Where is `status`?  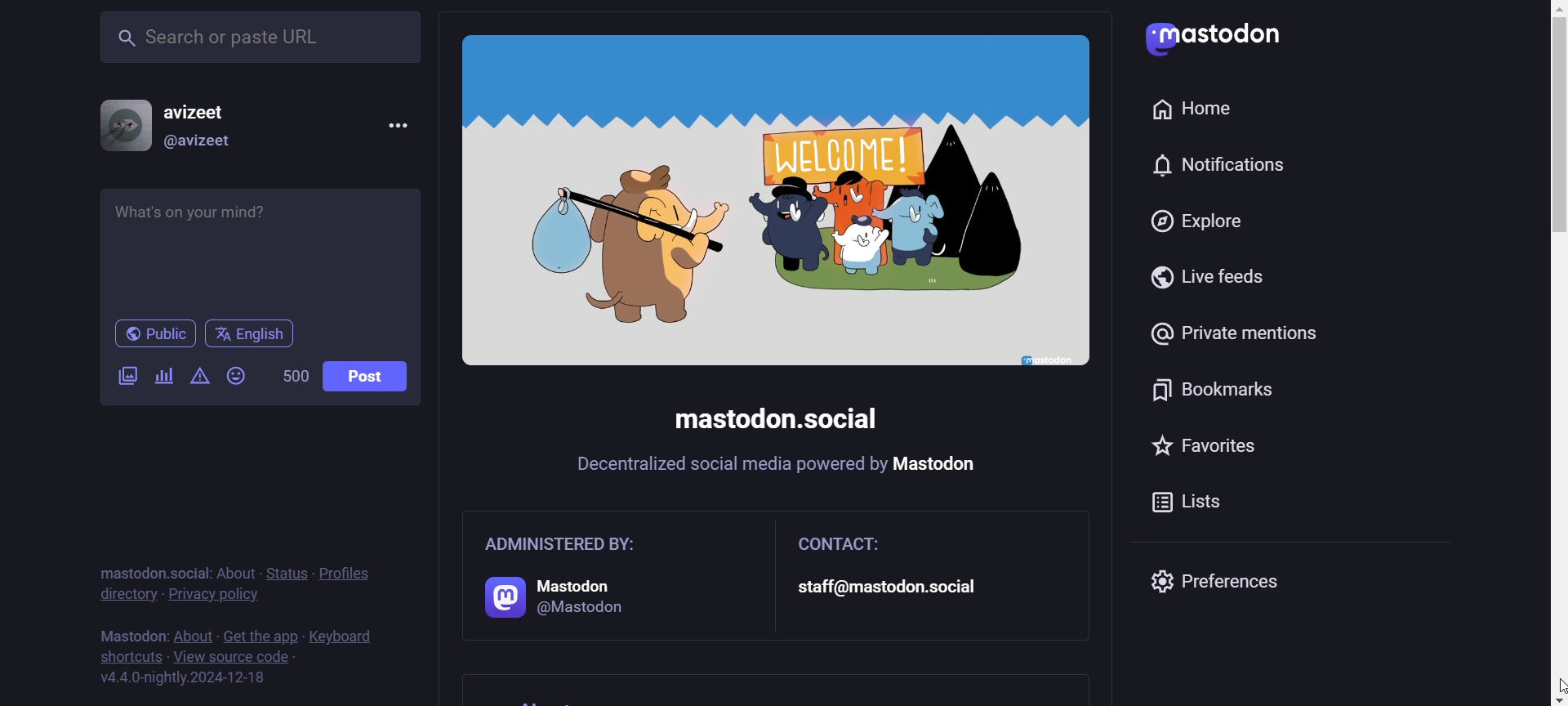 status is located at coordinates (287, 572).